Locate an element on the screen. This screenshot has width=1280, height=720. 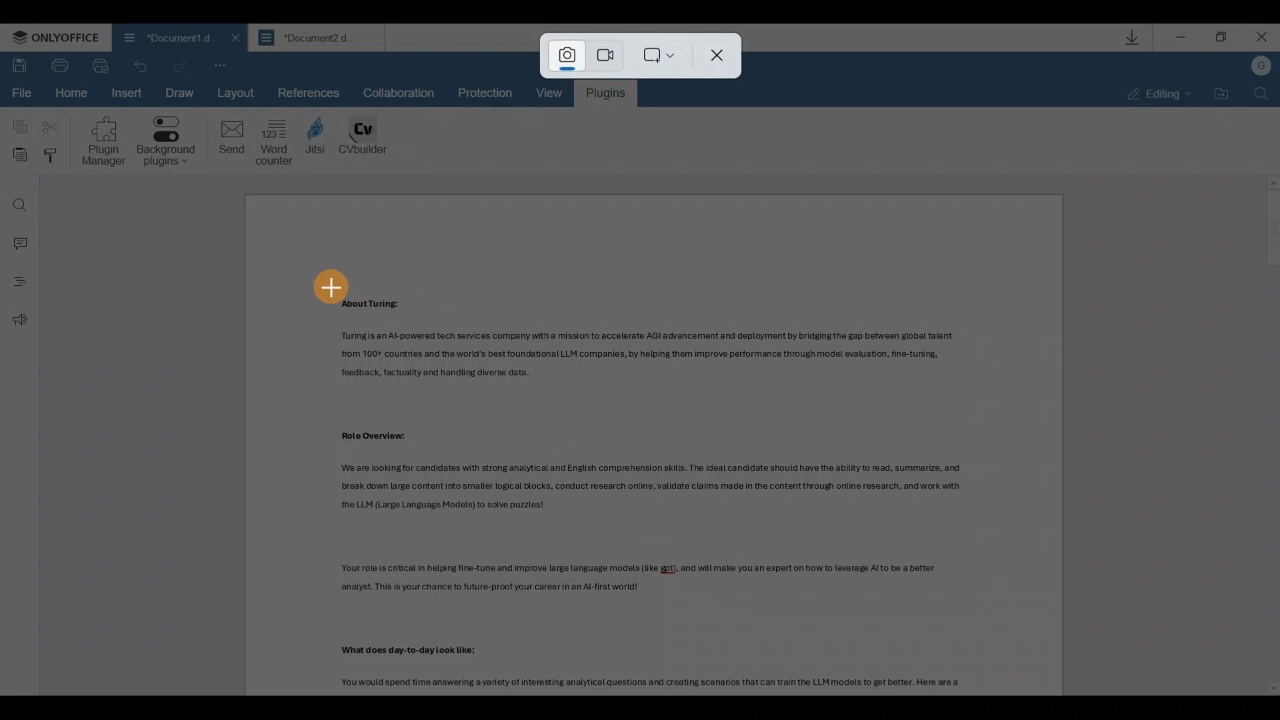
Close is located at coordinates (1262, 40).